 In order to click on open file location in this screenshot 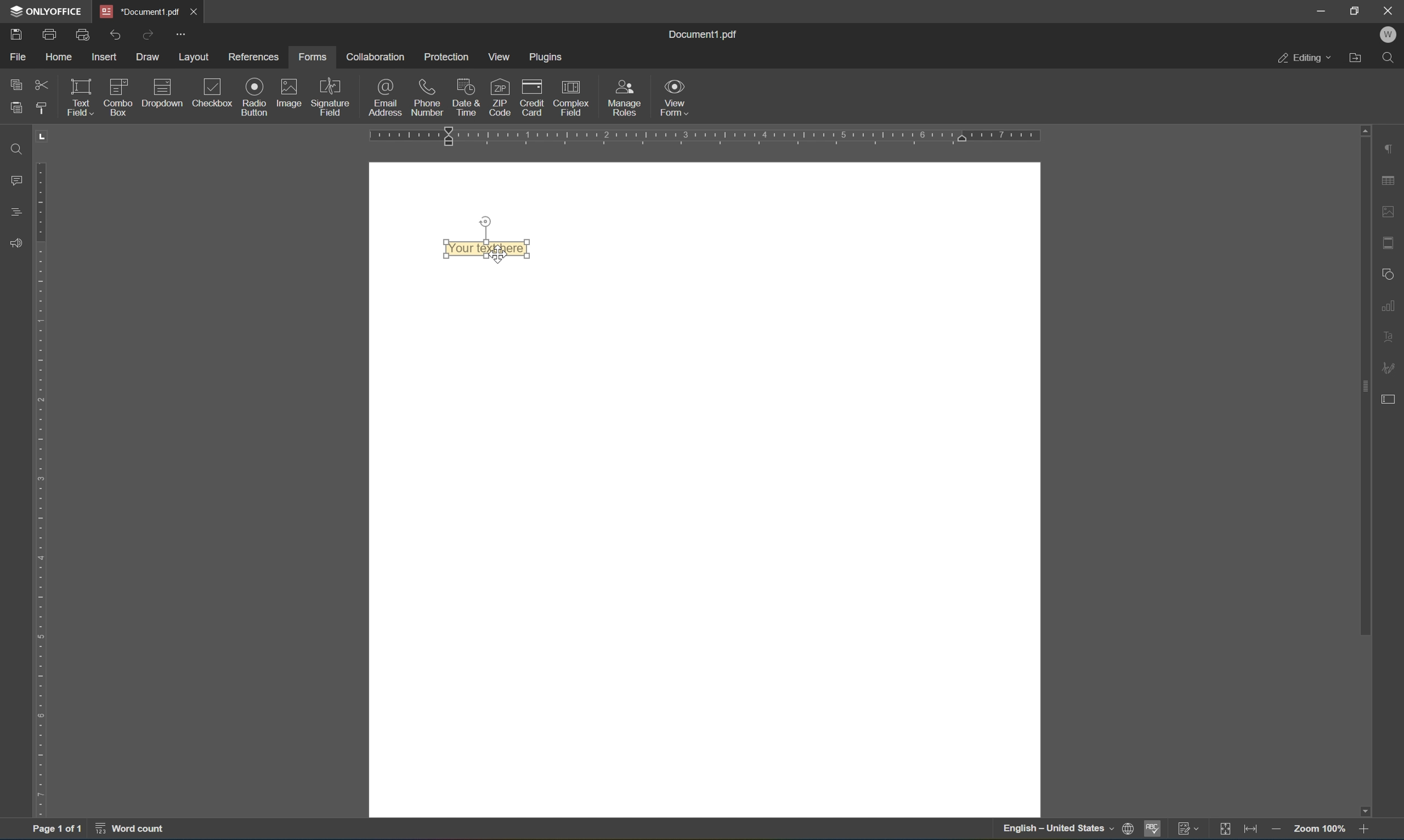, I will do `click(1358, 59)`.